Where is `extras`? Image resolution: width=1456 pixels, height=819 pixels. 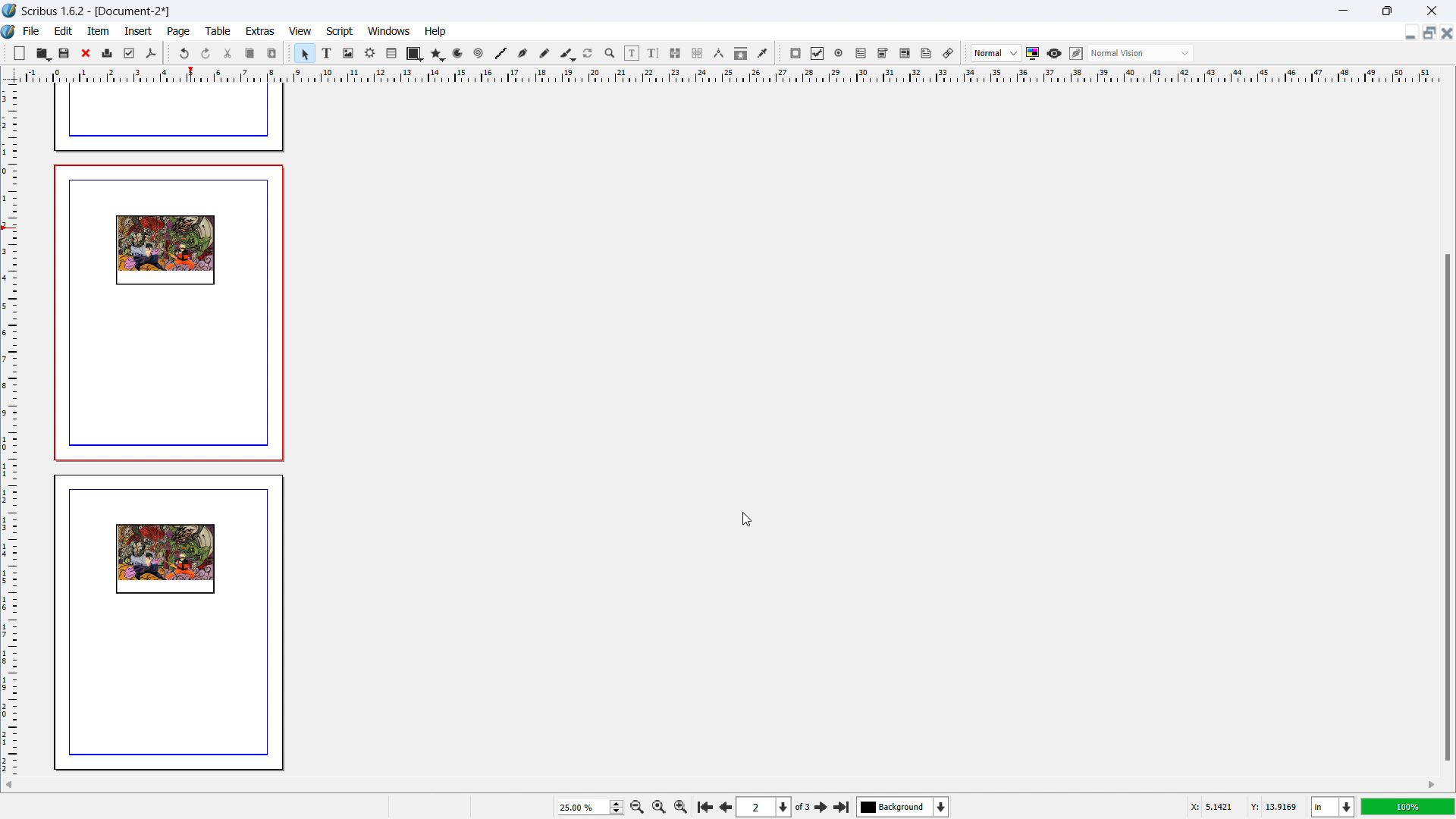 extras is located at coordinates (261, 31).